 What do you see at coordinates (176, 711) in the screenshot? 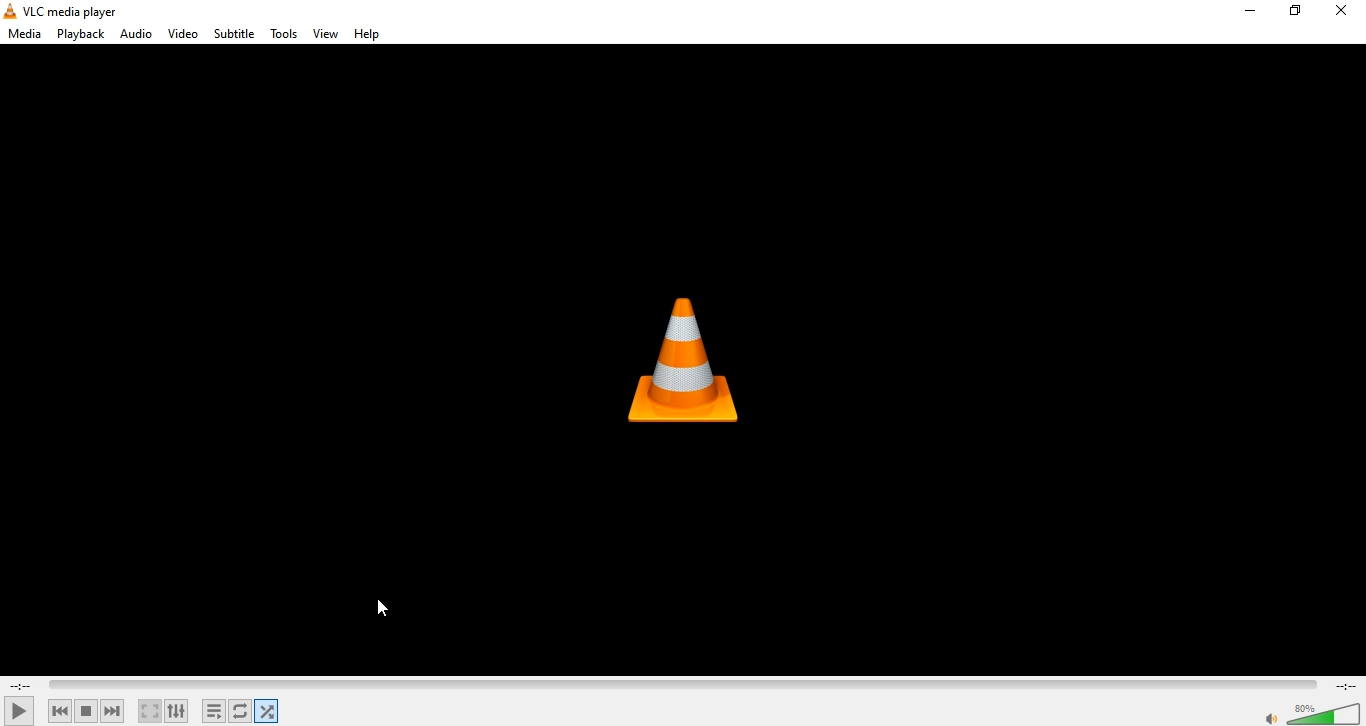
I see `show extended settings` at bounding box center [176, 711].